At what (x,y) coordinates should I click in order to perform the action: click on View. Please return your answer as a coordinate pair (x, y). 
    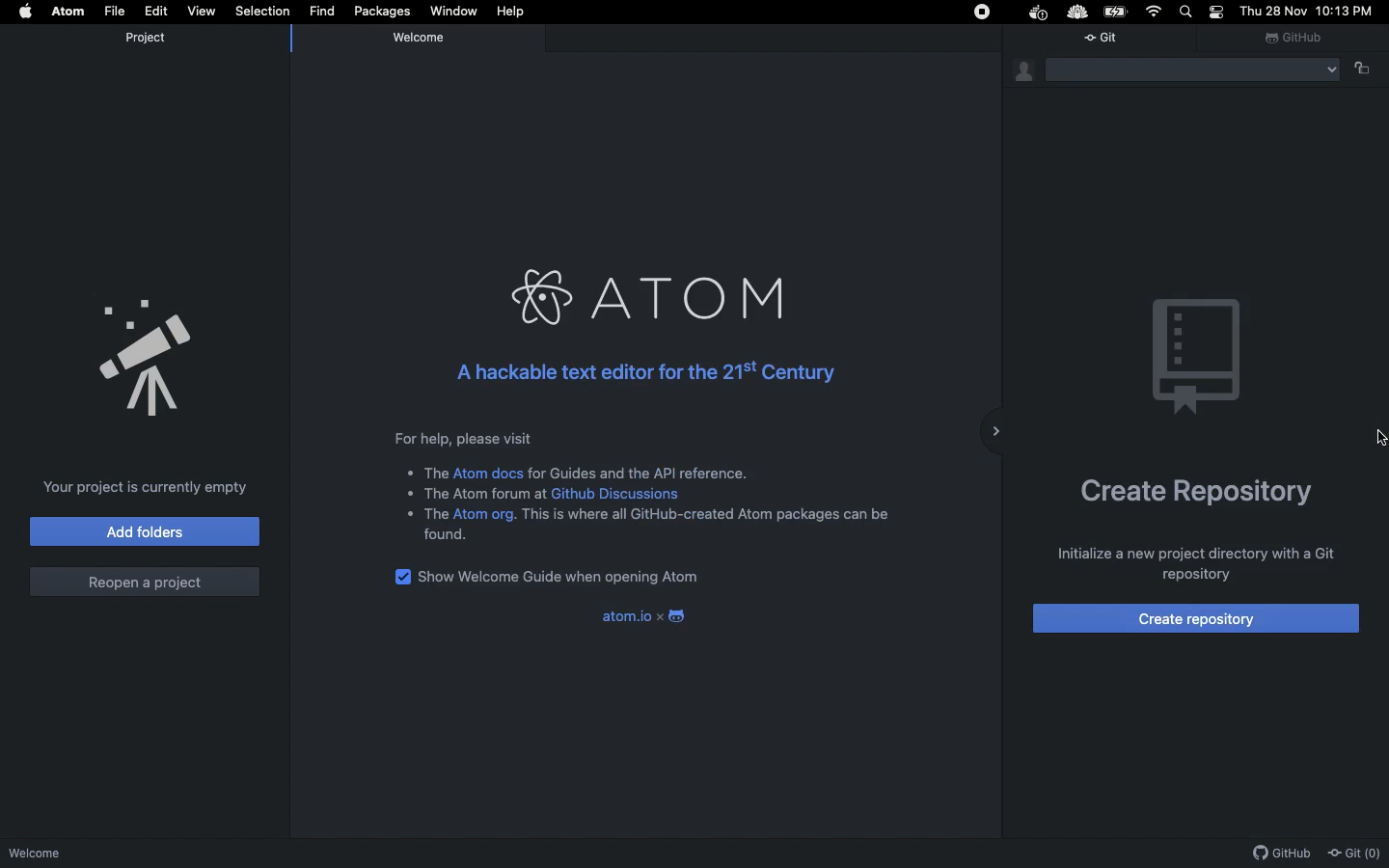
    Looking at the image, I should click on (204, 13).